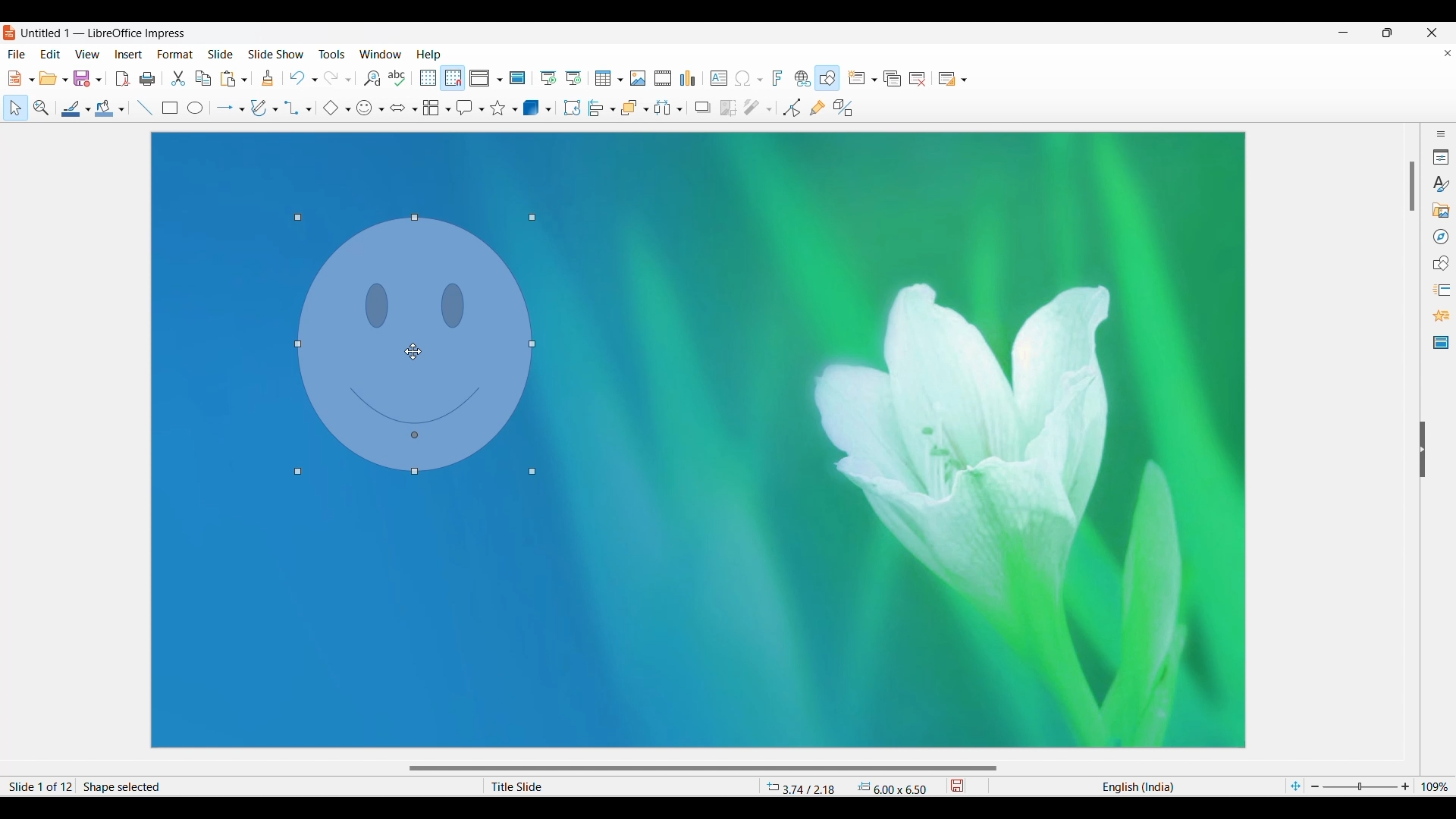 The image size is (1456, 819). I want to click on Master slides, so click(1441, 342).